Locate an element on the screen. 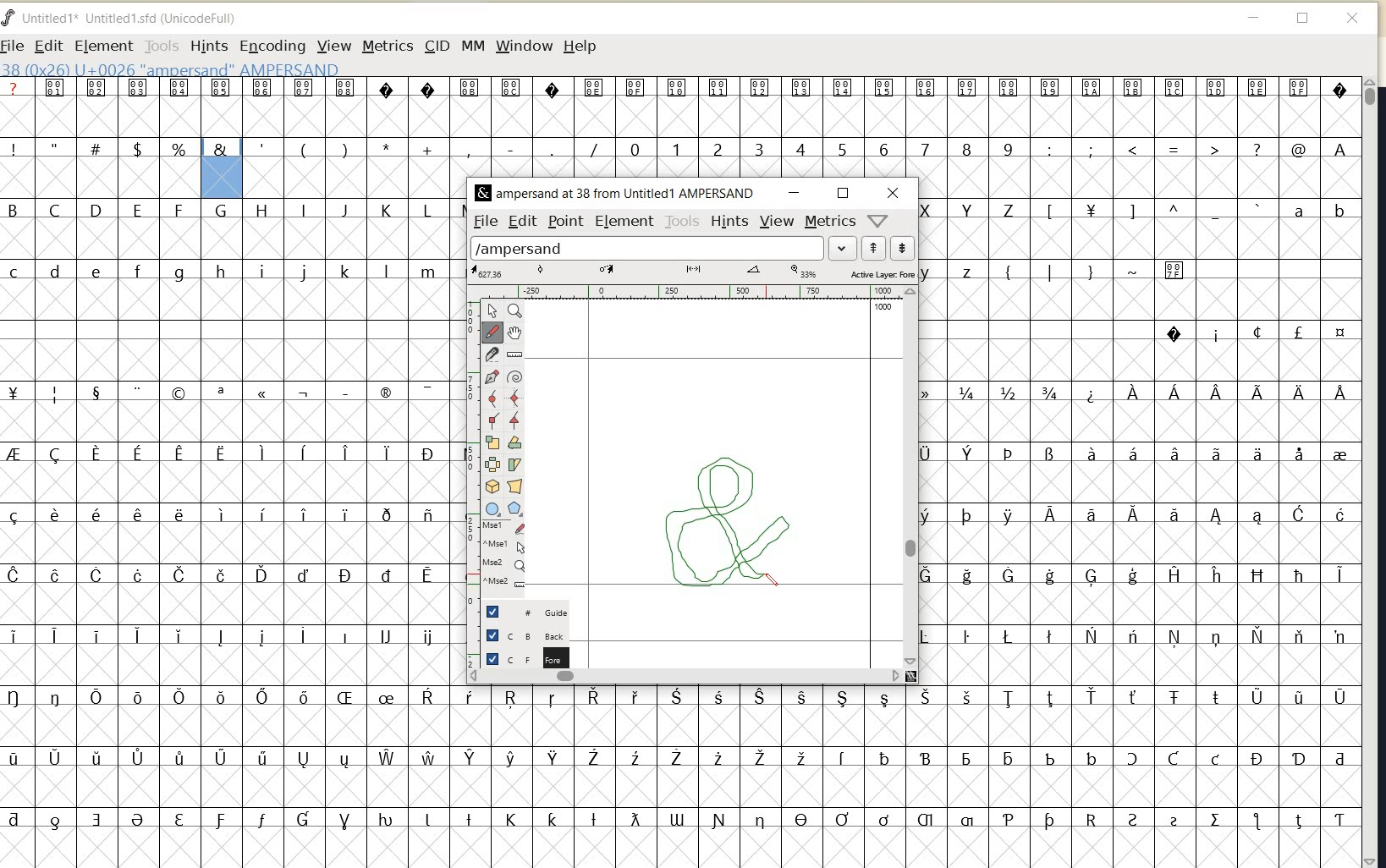 The height and width of the screenshot is (868, 1386). add a corner point is located at coordinates (492, 419).